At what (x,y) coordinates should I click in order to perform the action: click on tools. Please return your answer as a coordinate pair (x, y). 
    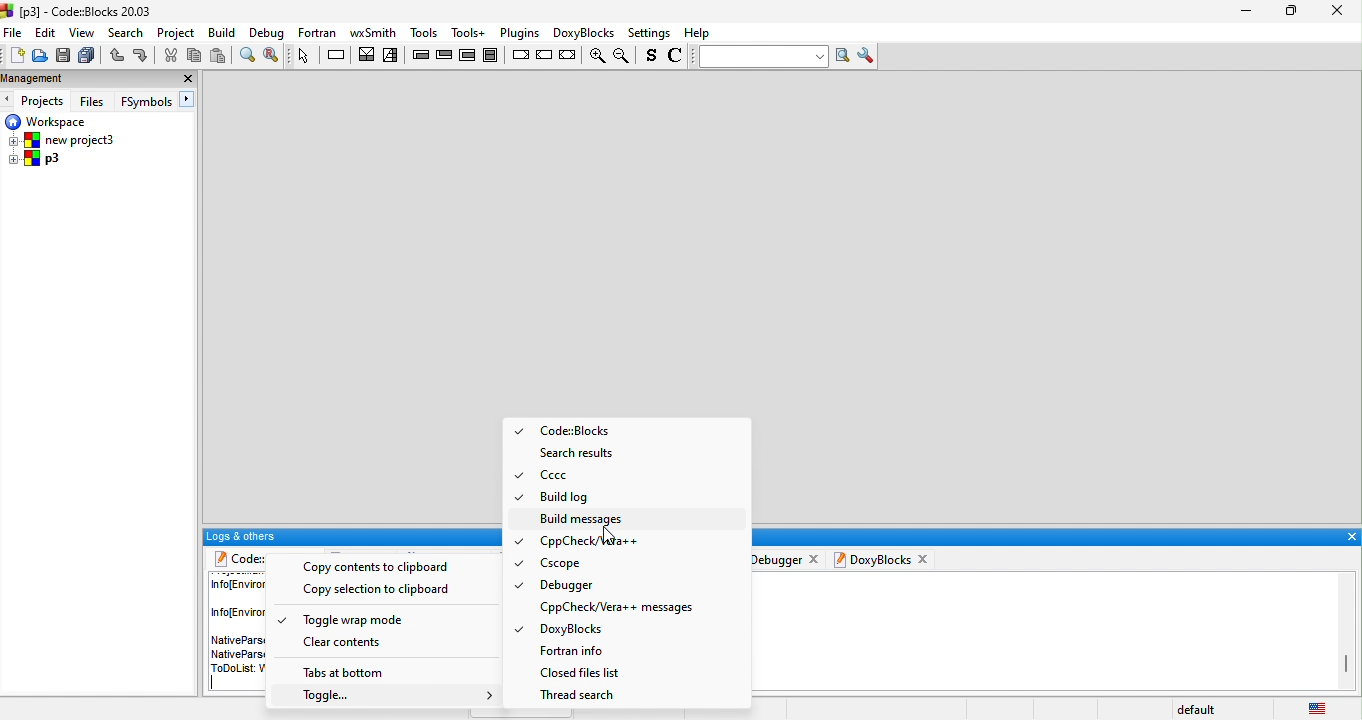
    Looking at the image, I should click on (423, 30).